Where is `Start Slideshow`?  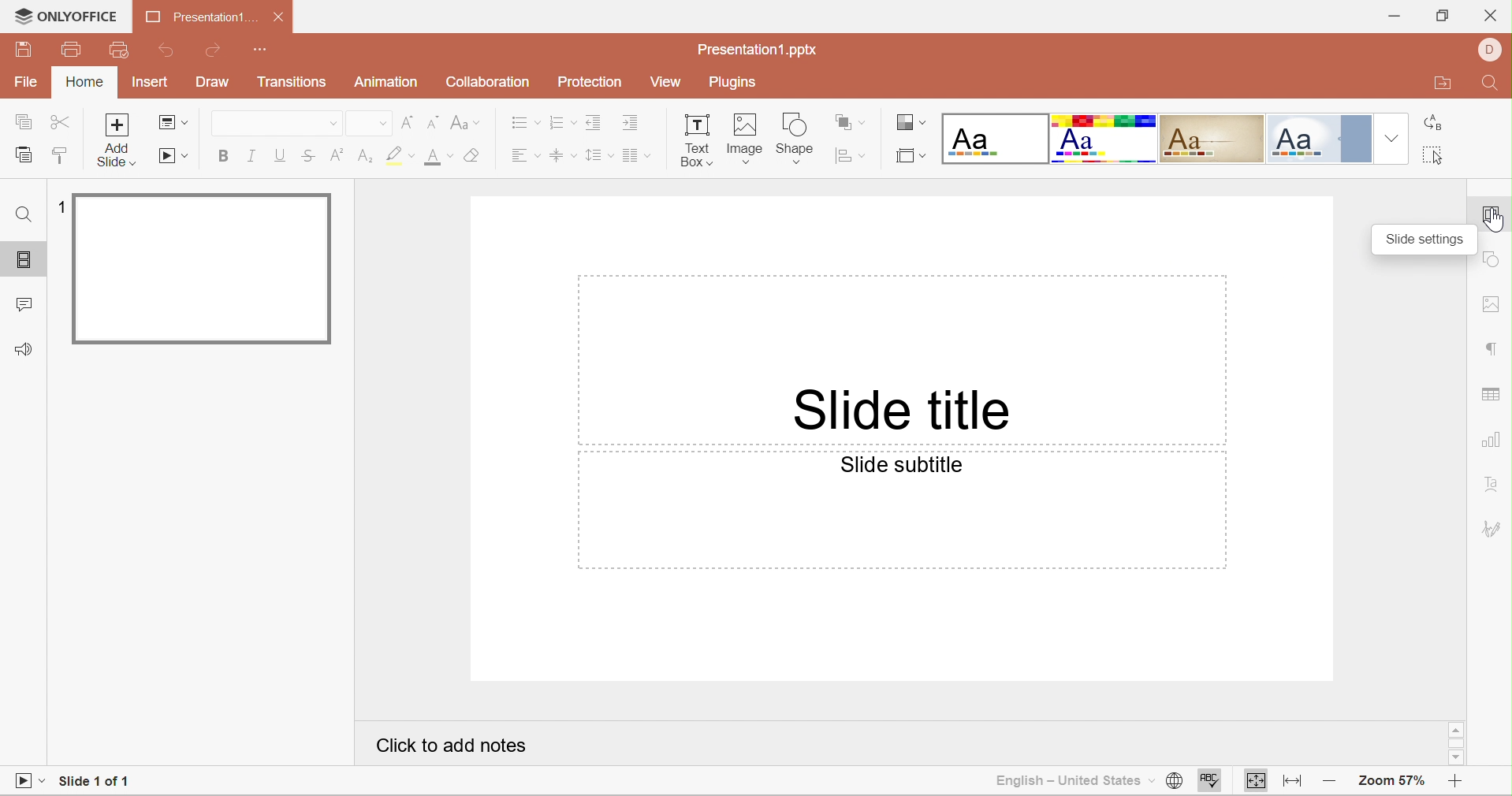
Start Slideshow is located at coordinates (174, 156).